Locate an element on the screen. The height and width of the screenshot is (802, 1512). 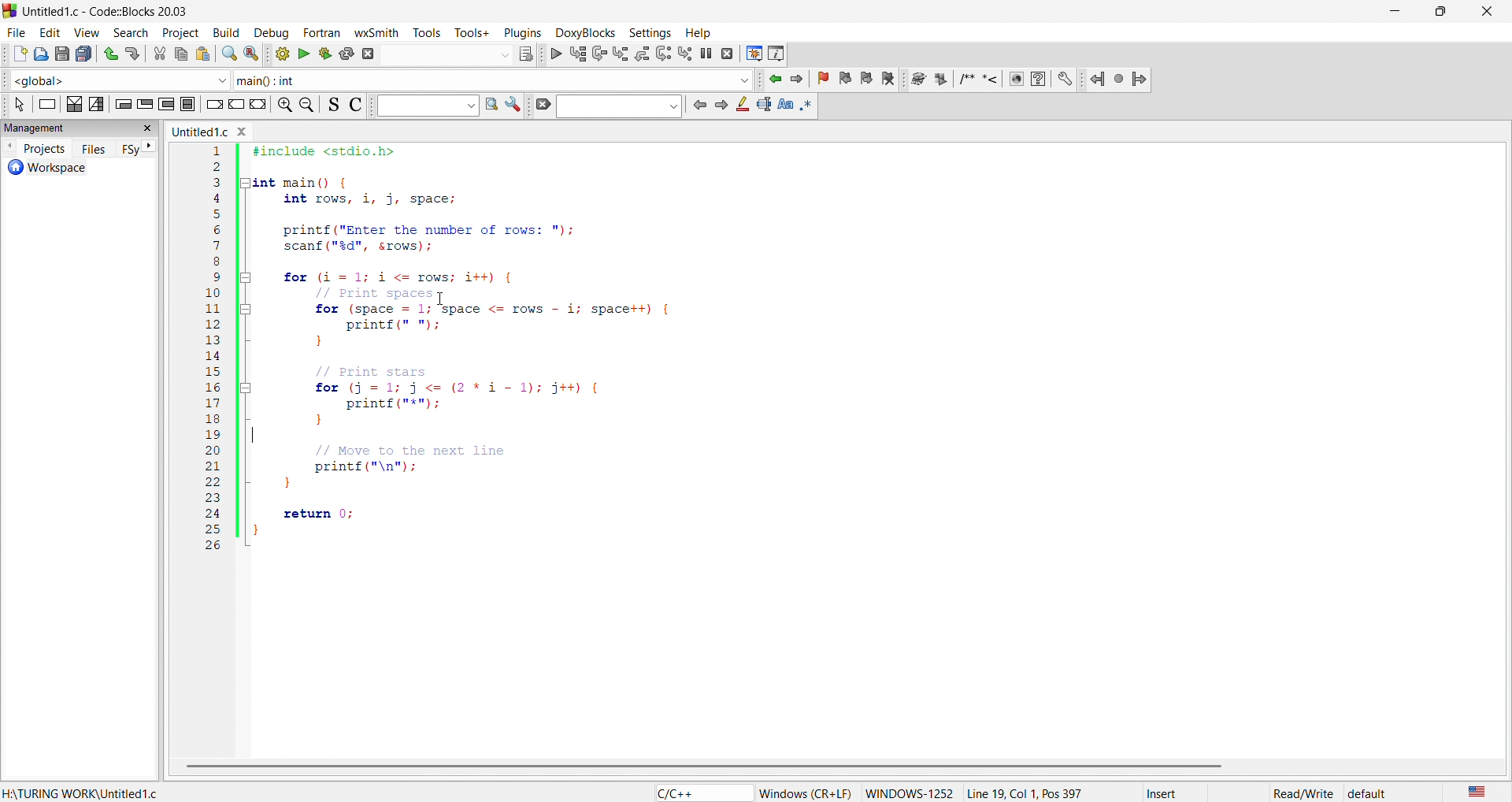
help is located at coordinates (1038, 79).